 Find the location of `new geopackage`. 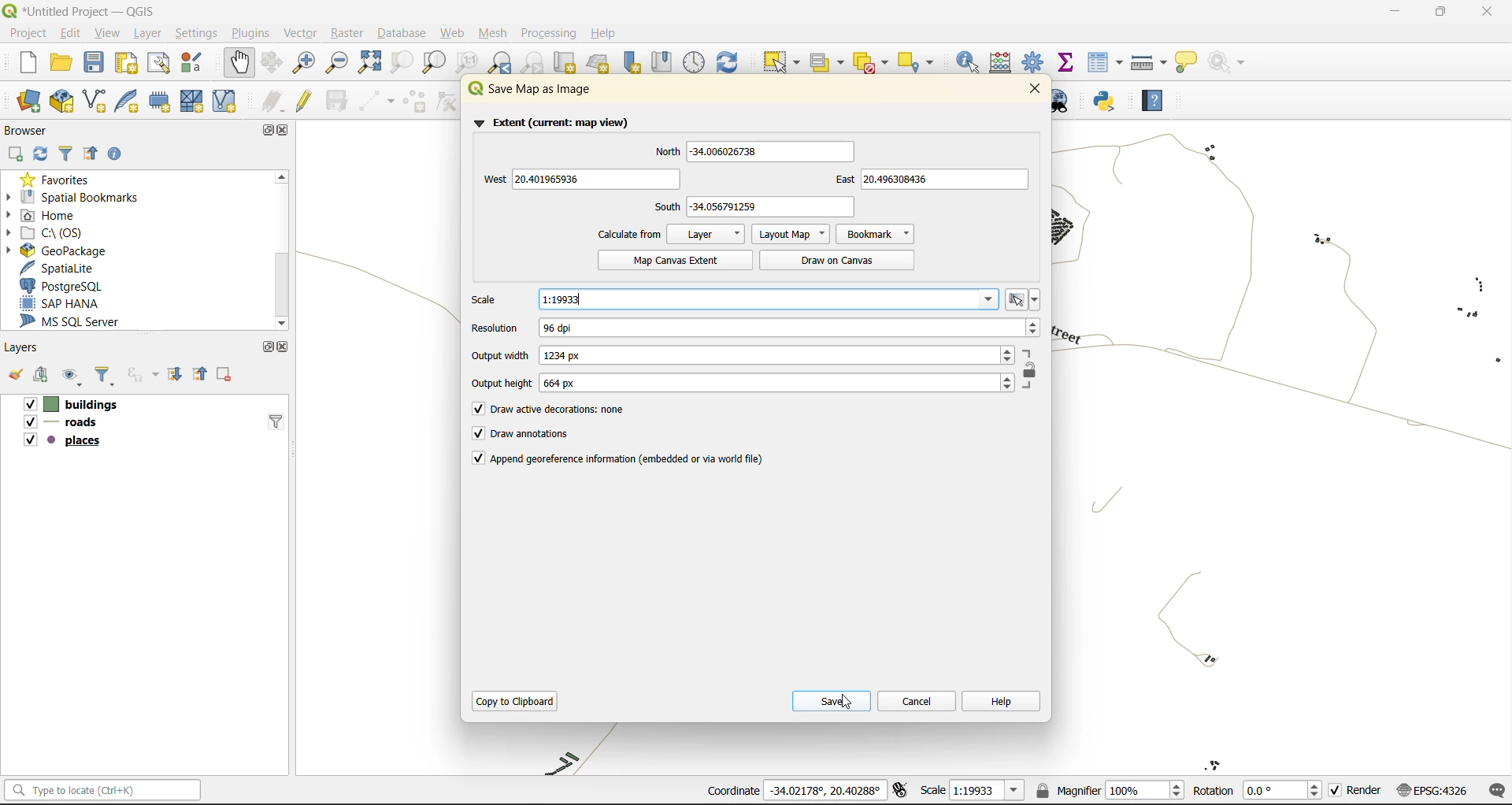

new geopackage is located at coordinates (61, 102).